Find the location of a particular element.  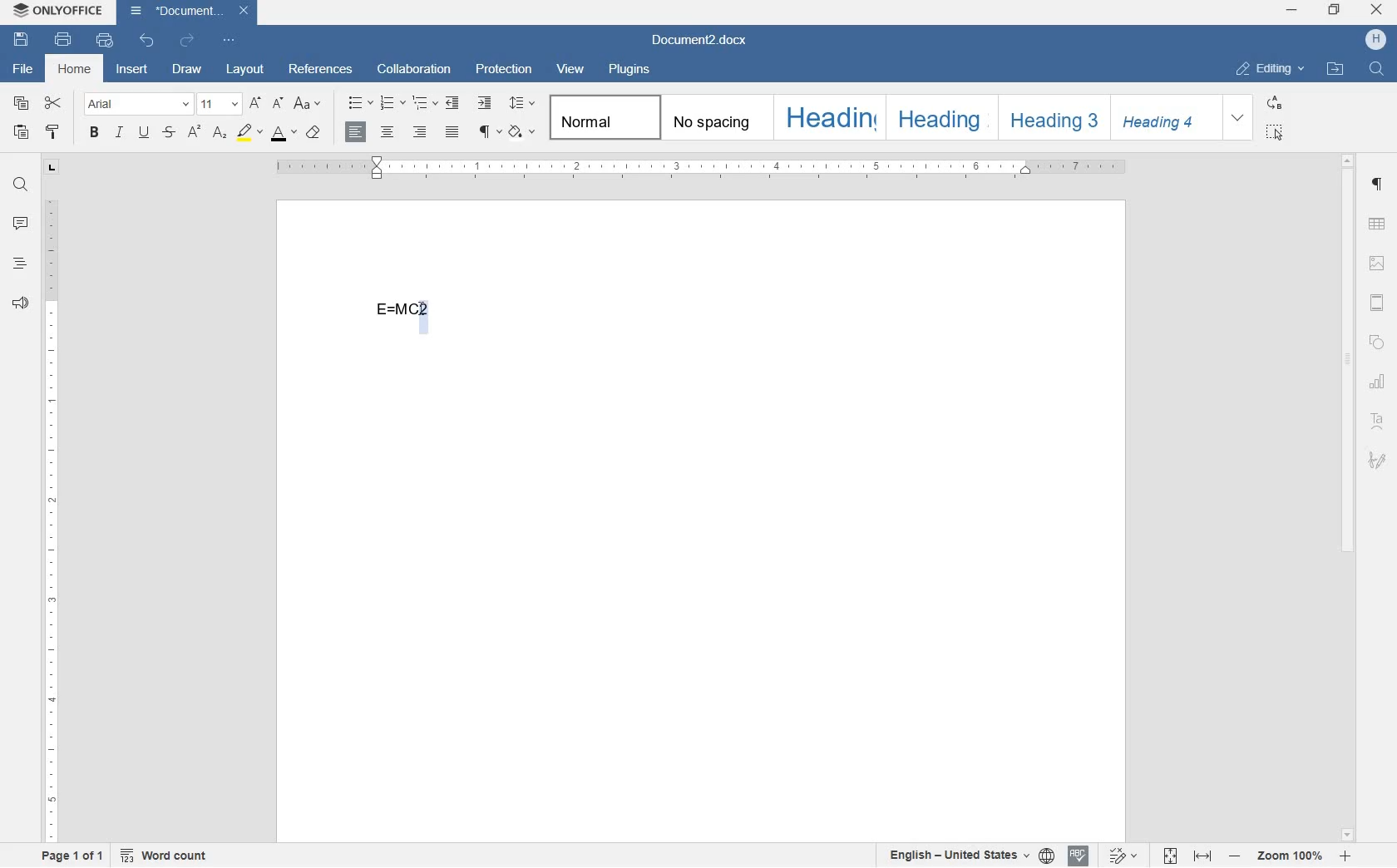

font name is located at coordinates (138, 105).